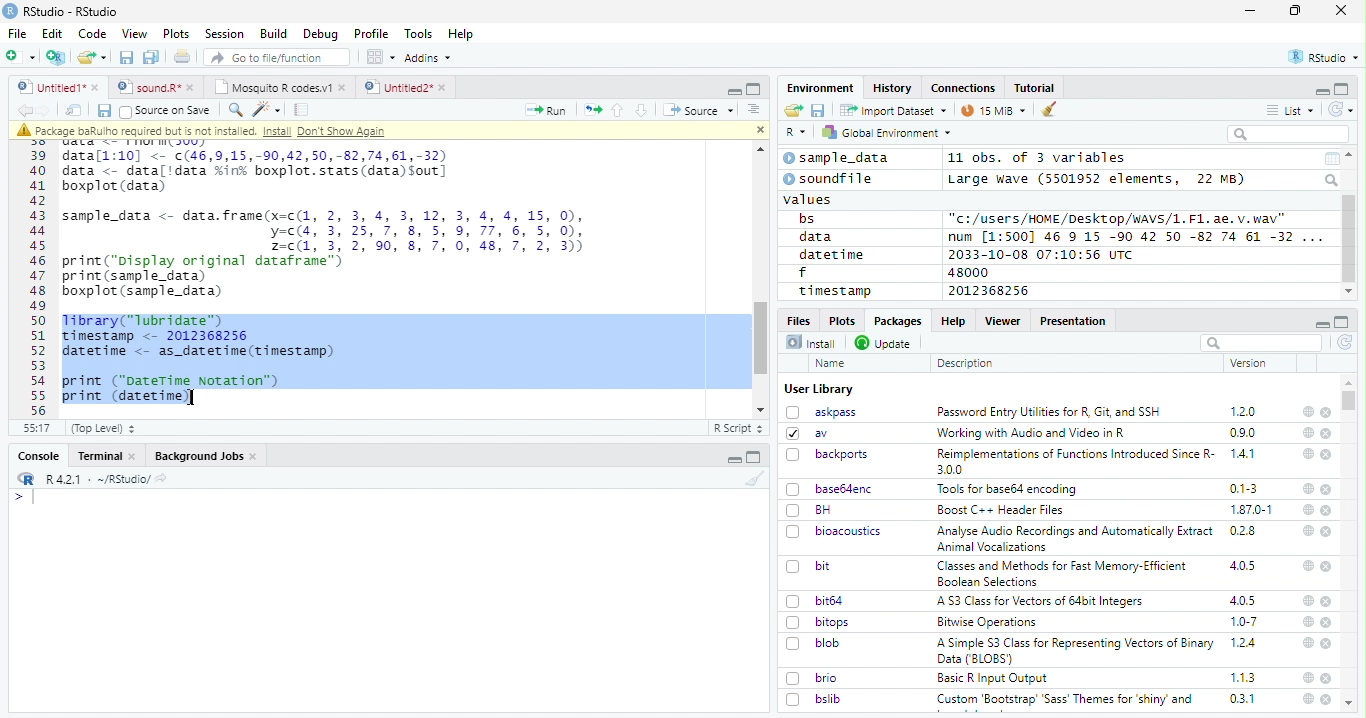 Image resolution: width=1366 pixels, height=718 pixels. I want to click on blob, so click(813, 643).